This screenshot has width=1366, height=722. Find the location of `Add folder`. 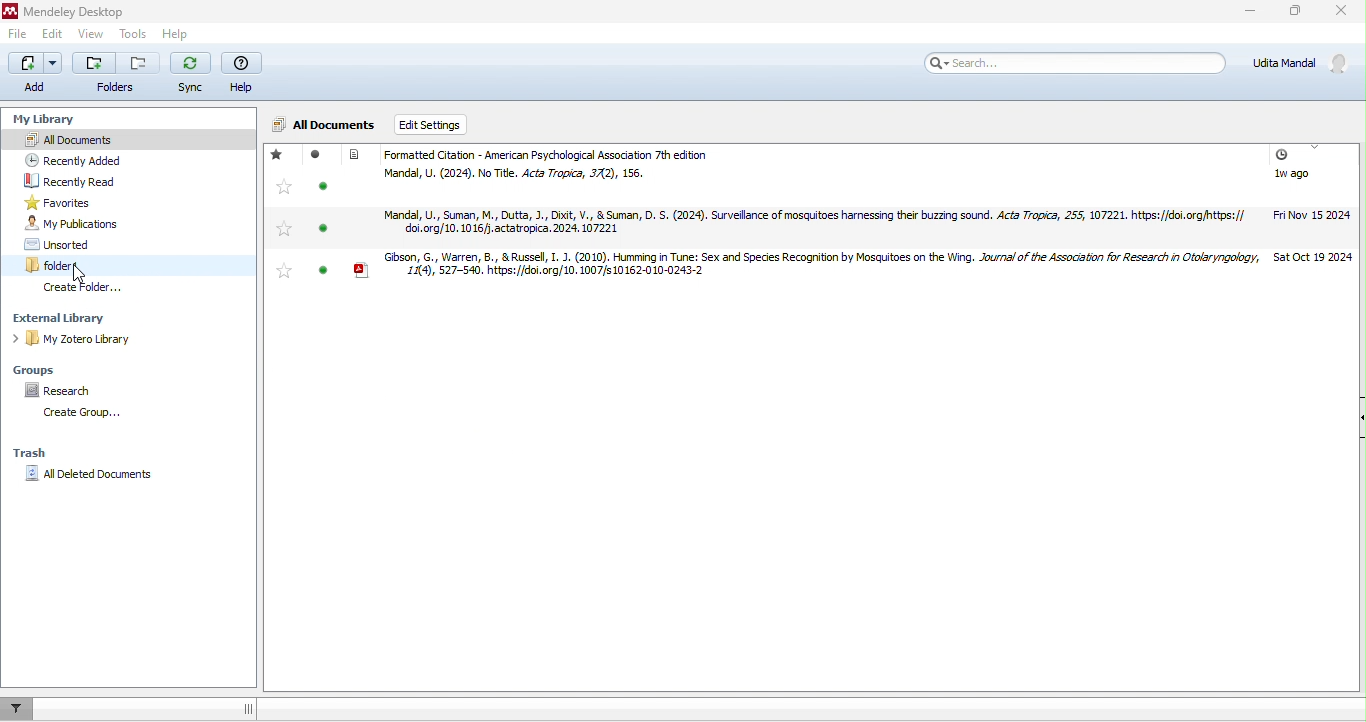

Add folder is located at coordinates (94, 63).